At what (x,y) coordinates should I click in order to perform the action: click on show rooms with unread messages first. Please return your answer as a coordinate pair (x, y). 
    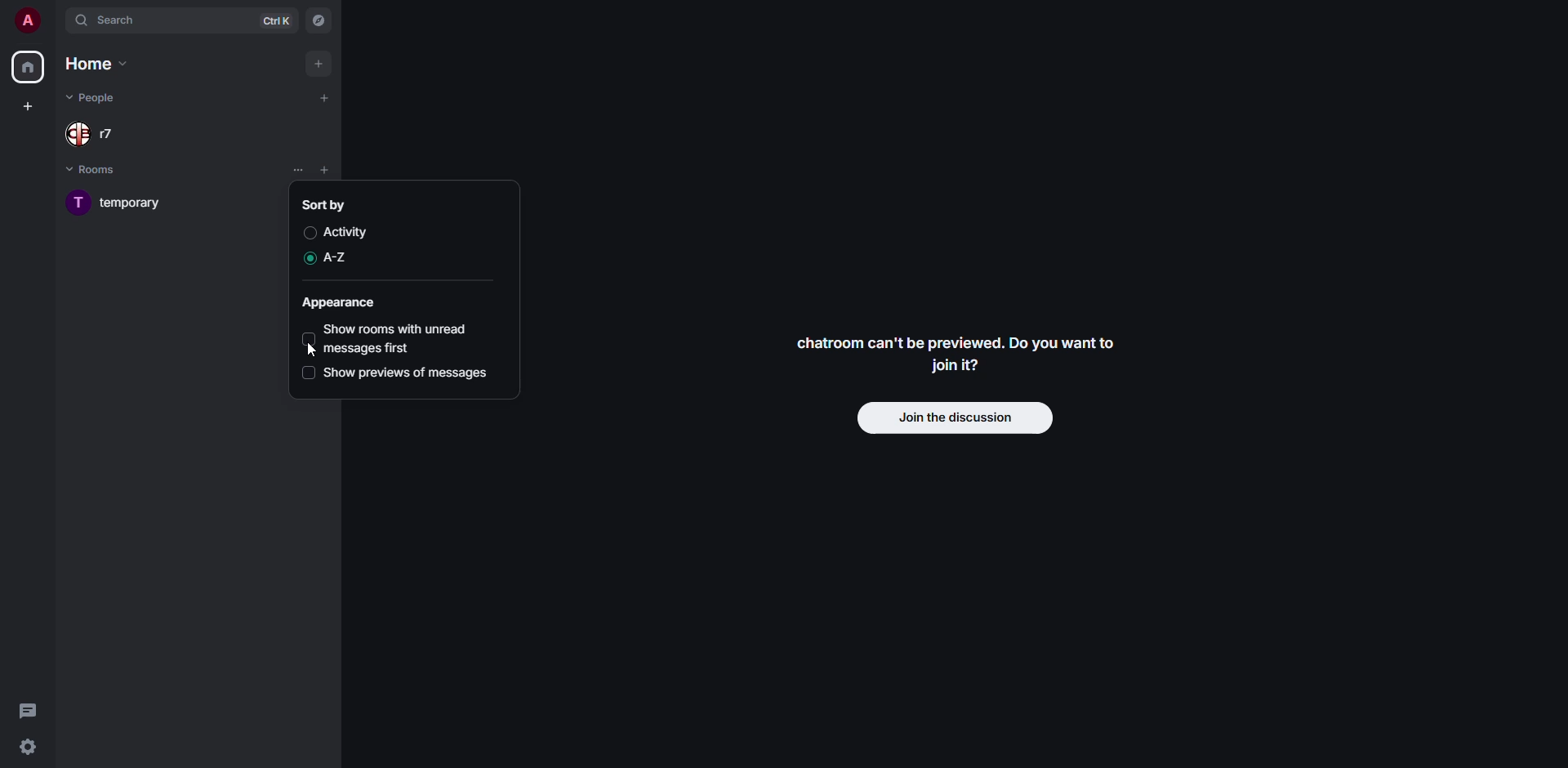
    Looking at the image, I should click on (404, 337).